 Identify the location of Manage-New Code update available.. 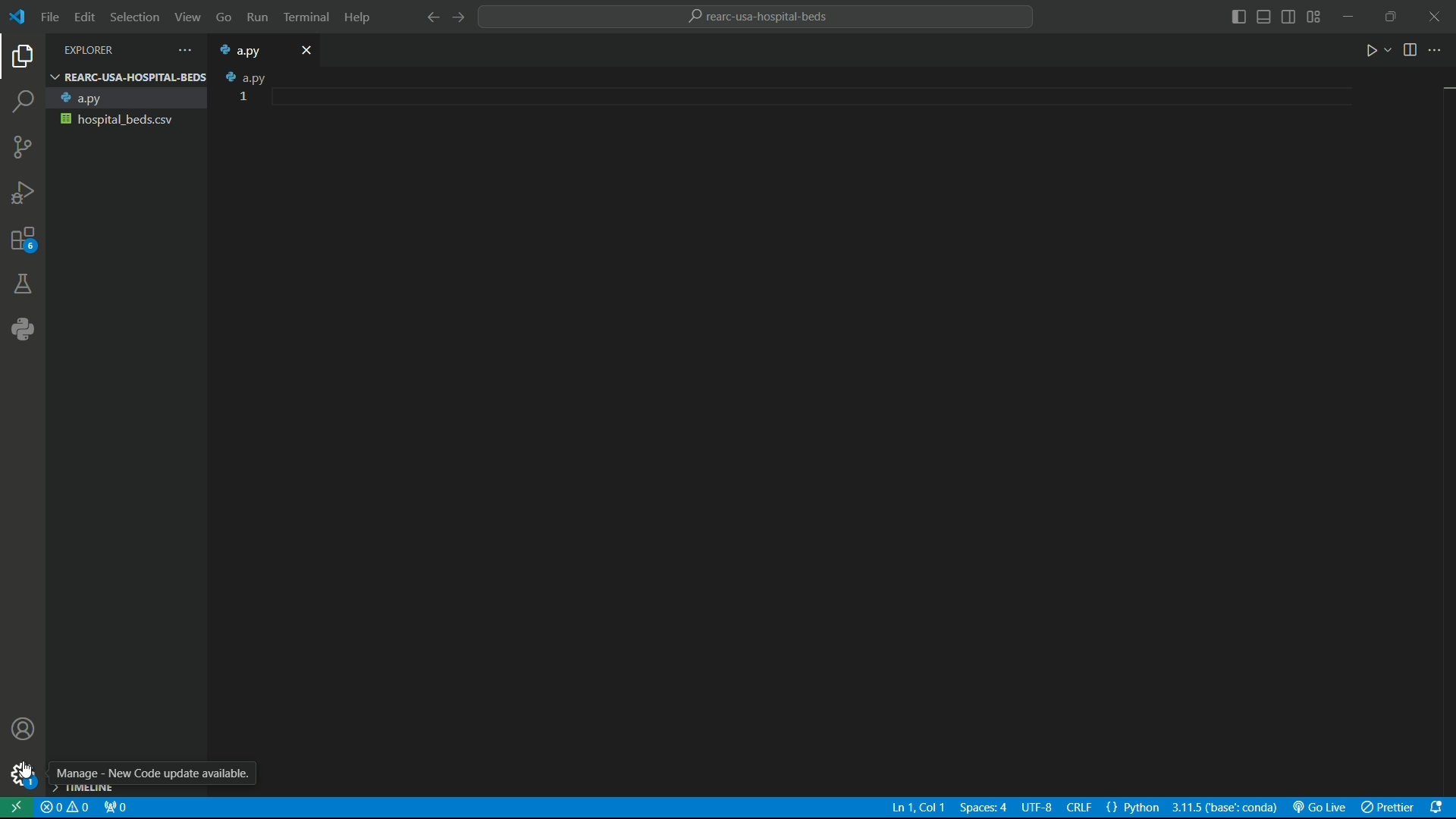
(155, 773).